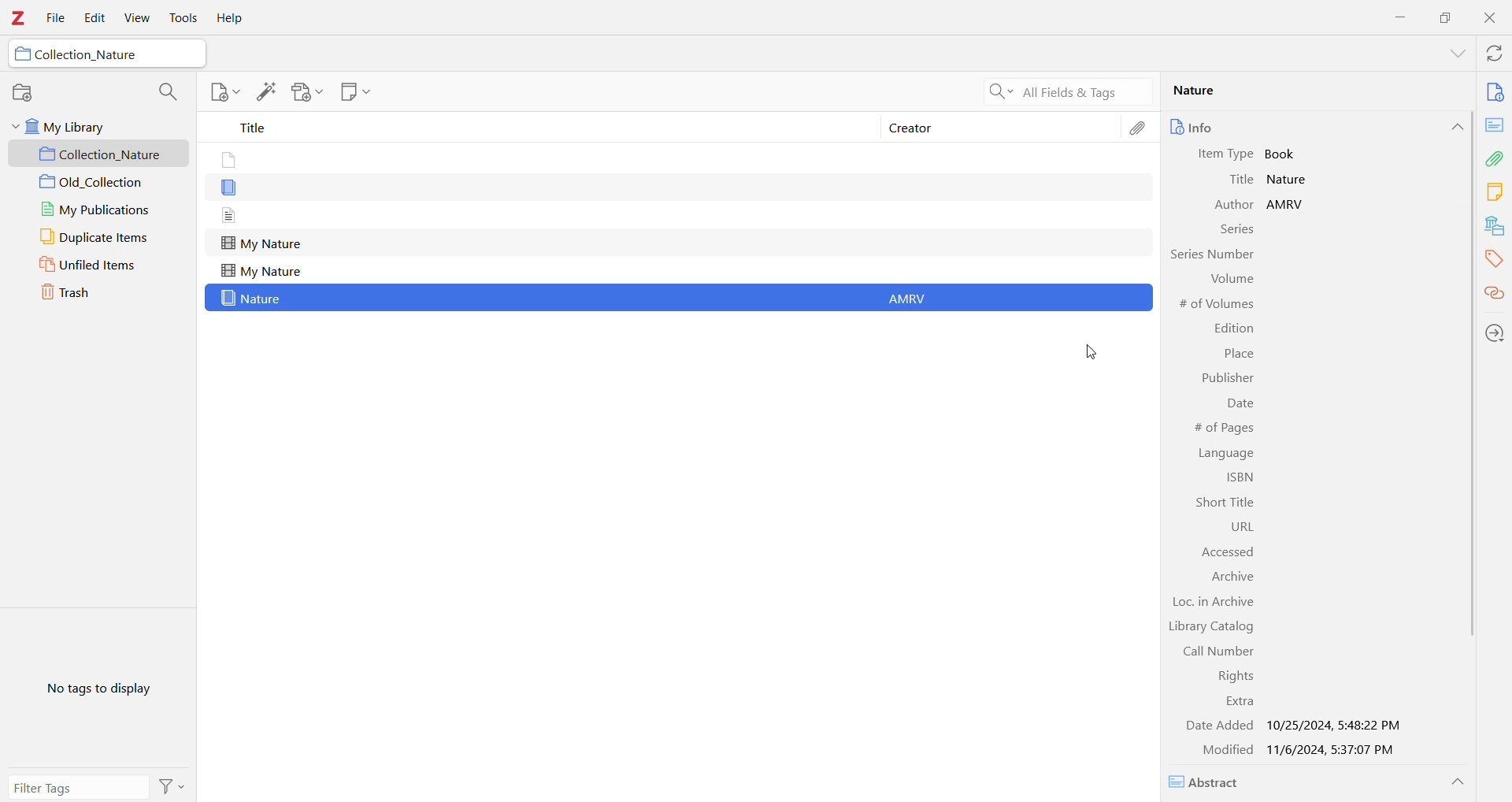 Image resolution: width=1512 pixels, height=802 pixels. What do you see at coordinates (1228, 154) in the screenshot?
I see `Item Type` at bounding box center [1228, 154].